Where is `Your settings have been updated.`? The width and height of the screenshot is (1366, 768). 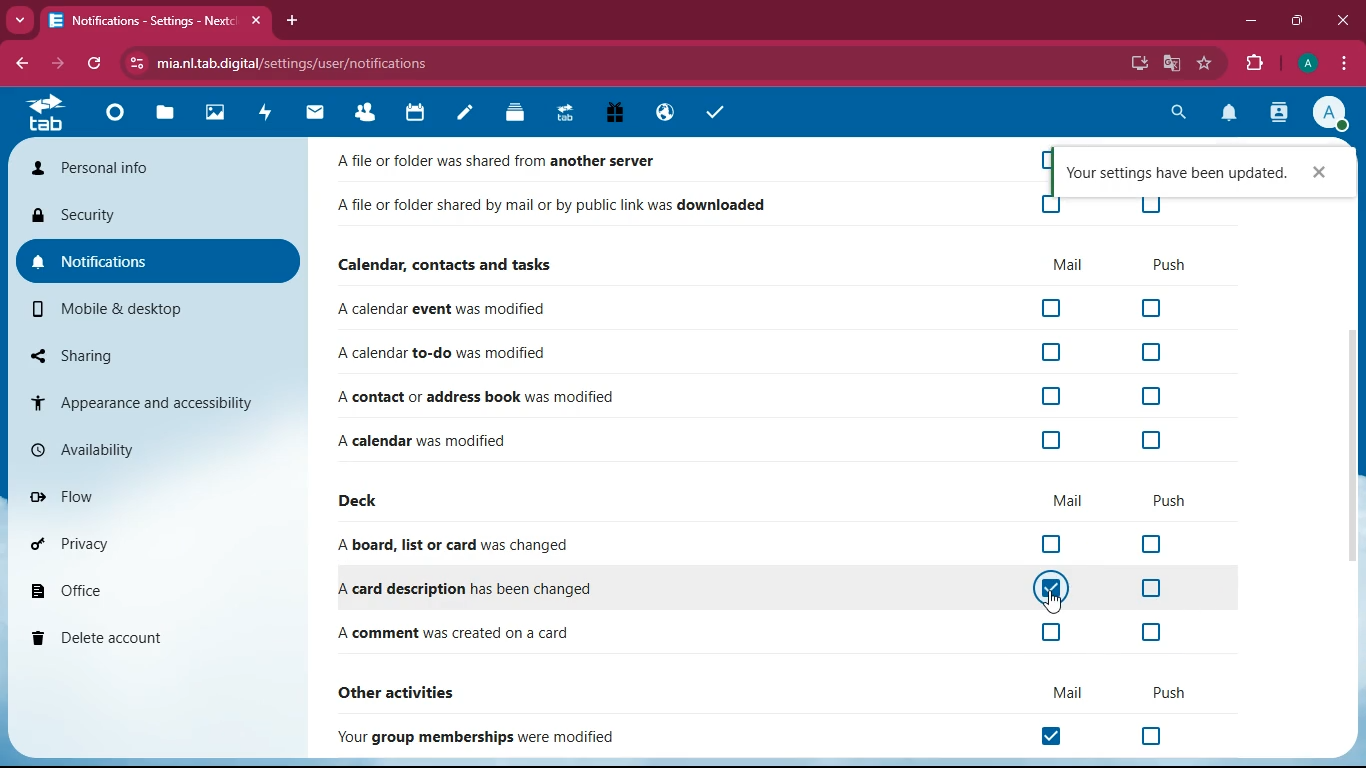
Your settings have been updated. is located at coordinates (1175, 168).